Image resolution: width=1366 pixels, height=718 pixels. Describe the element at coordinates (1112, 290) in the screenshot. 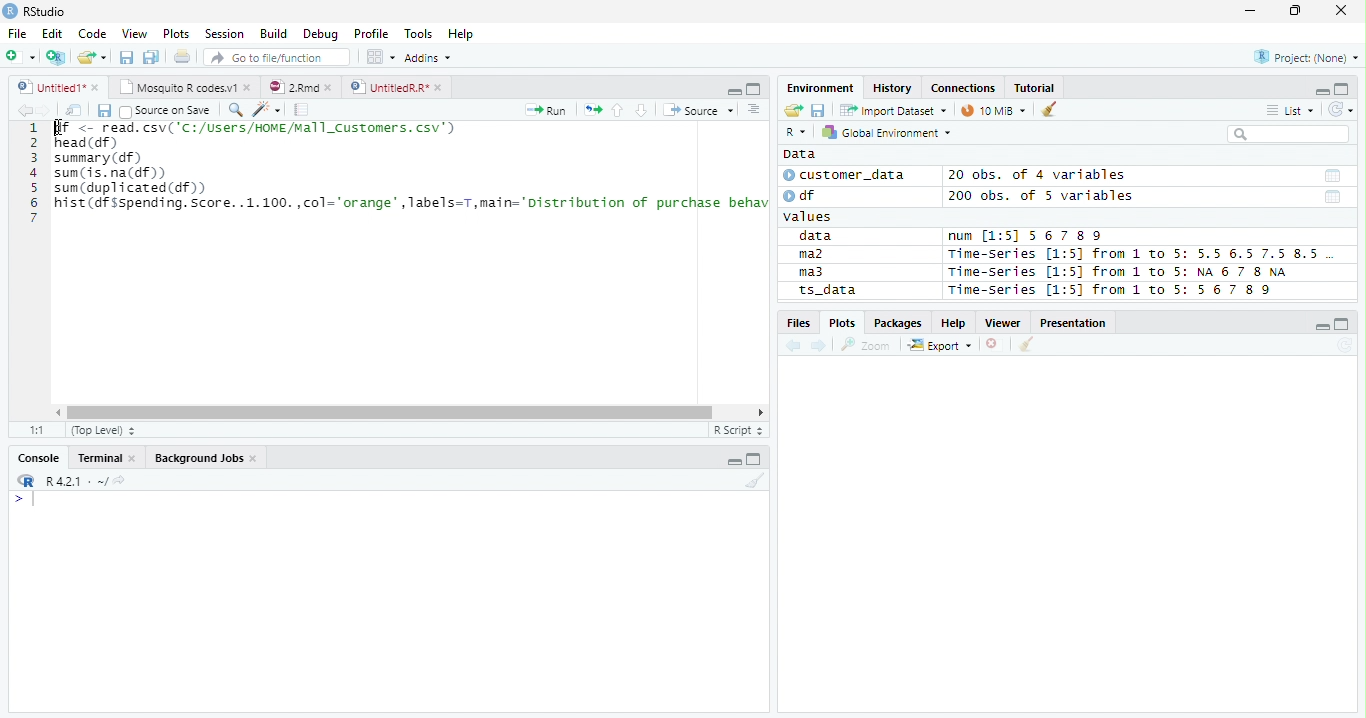

I see `Time-Series [1:5] from 1 to 5: 56 7 8 9` at that location.